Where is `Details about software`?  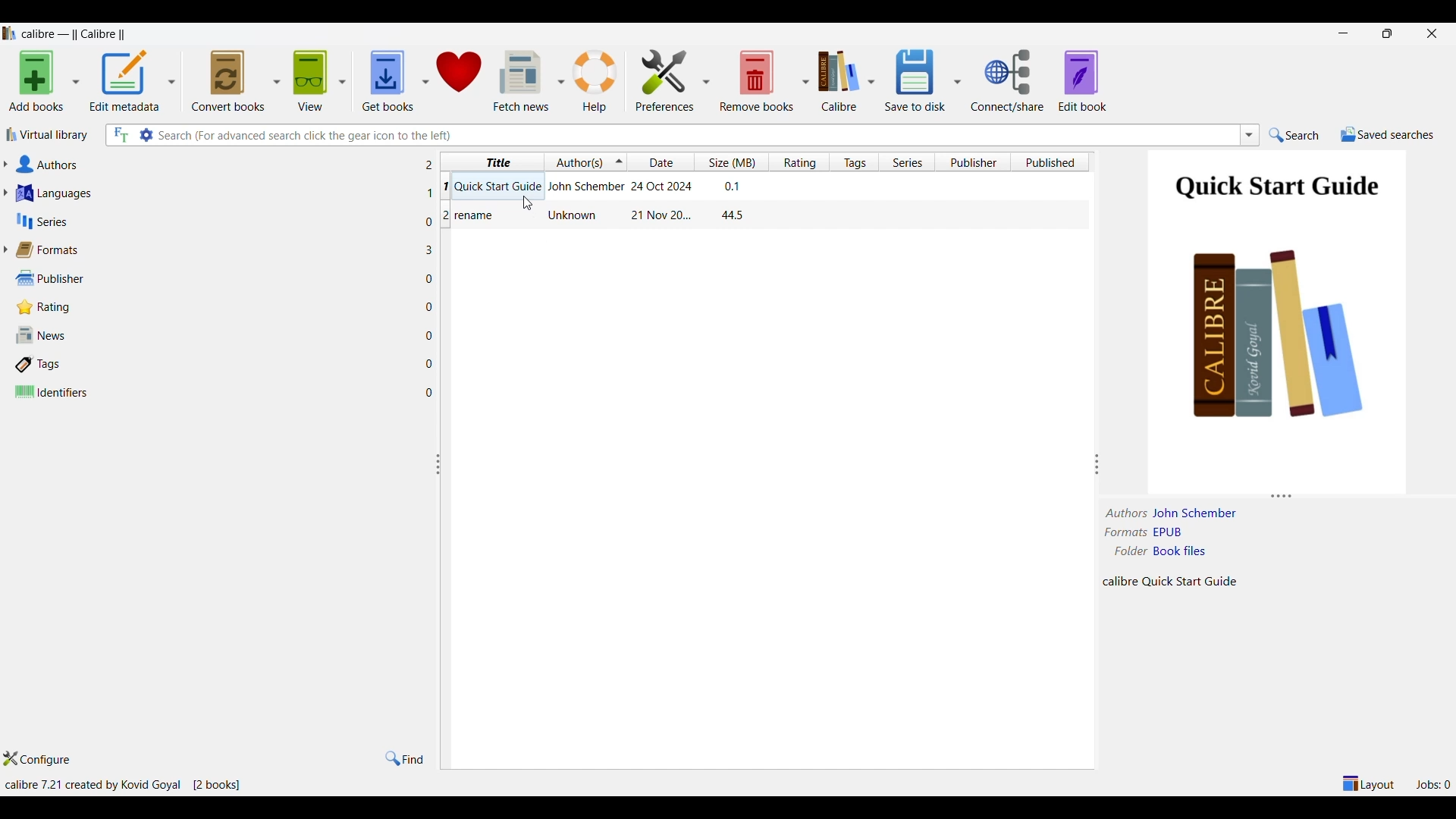
Details about software is located at coordinates (125, 786).